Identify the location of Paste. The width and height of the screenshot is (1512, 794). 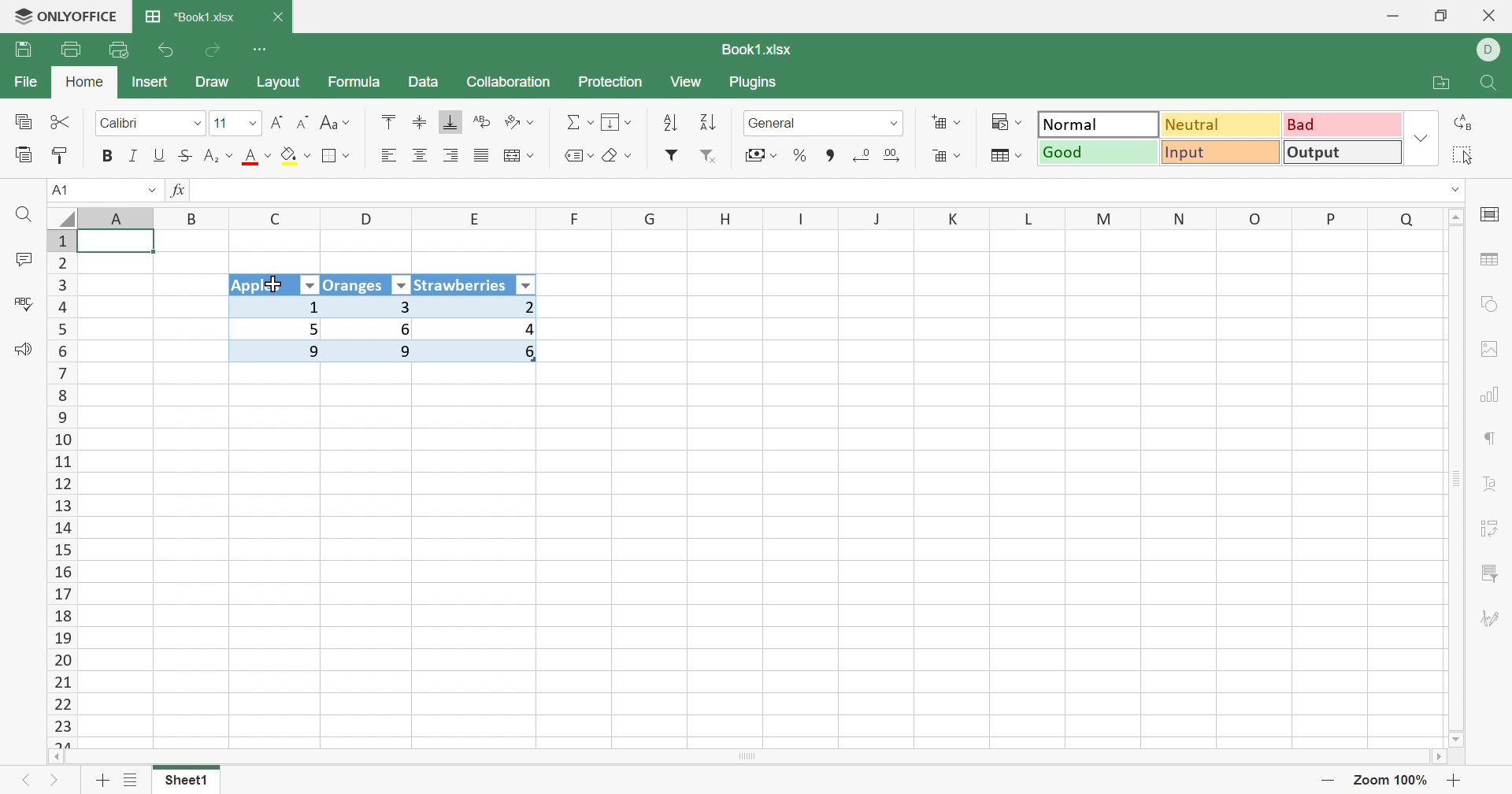
(24, 155).